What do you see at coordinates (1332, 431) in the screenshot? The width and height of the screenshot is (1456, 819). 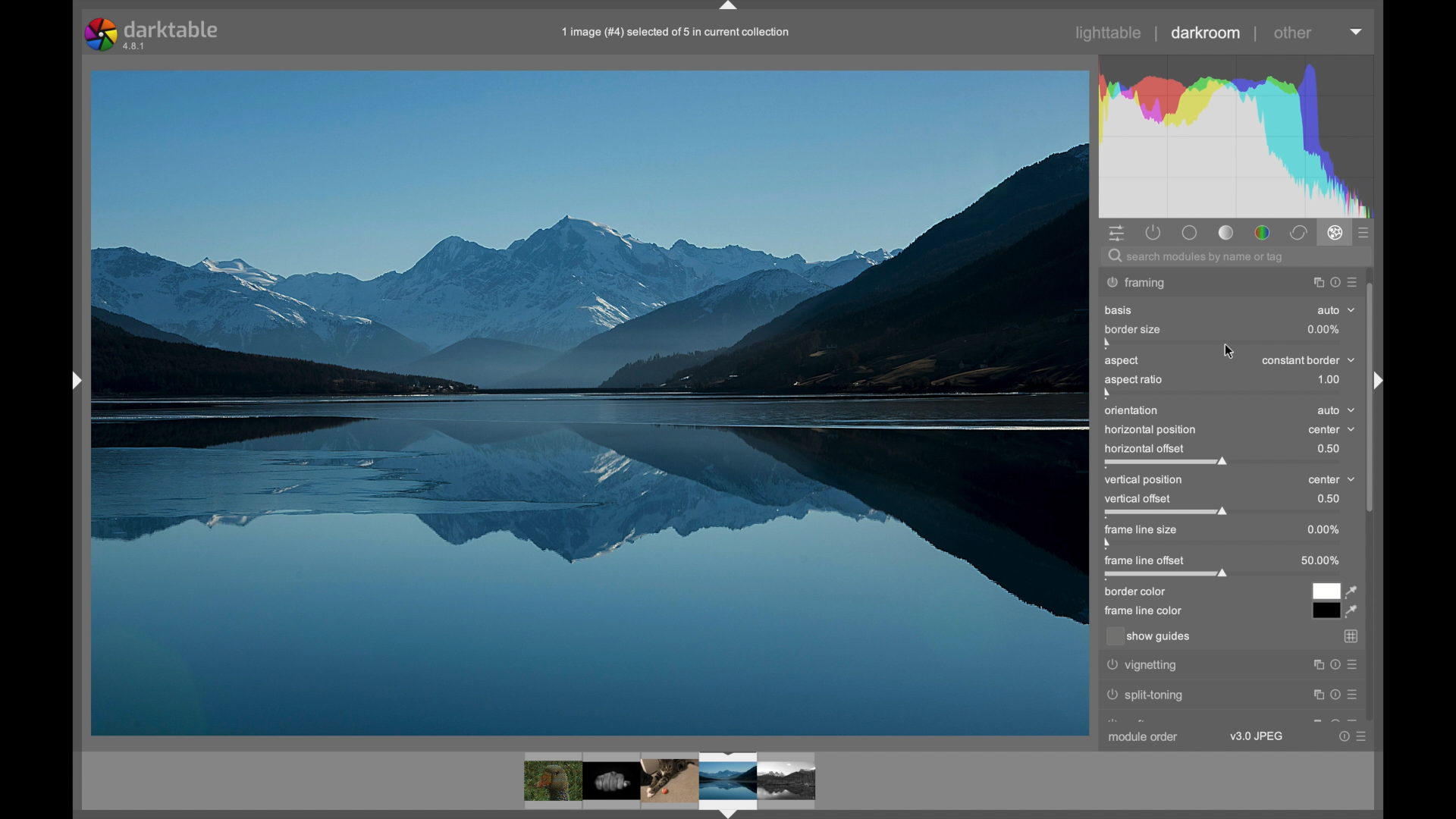 I see `center dropdown` at bounding box center [1332, 431].